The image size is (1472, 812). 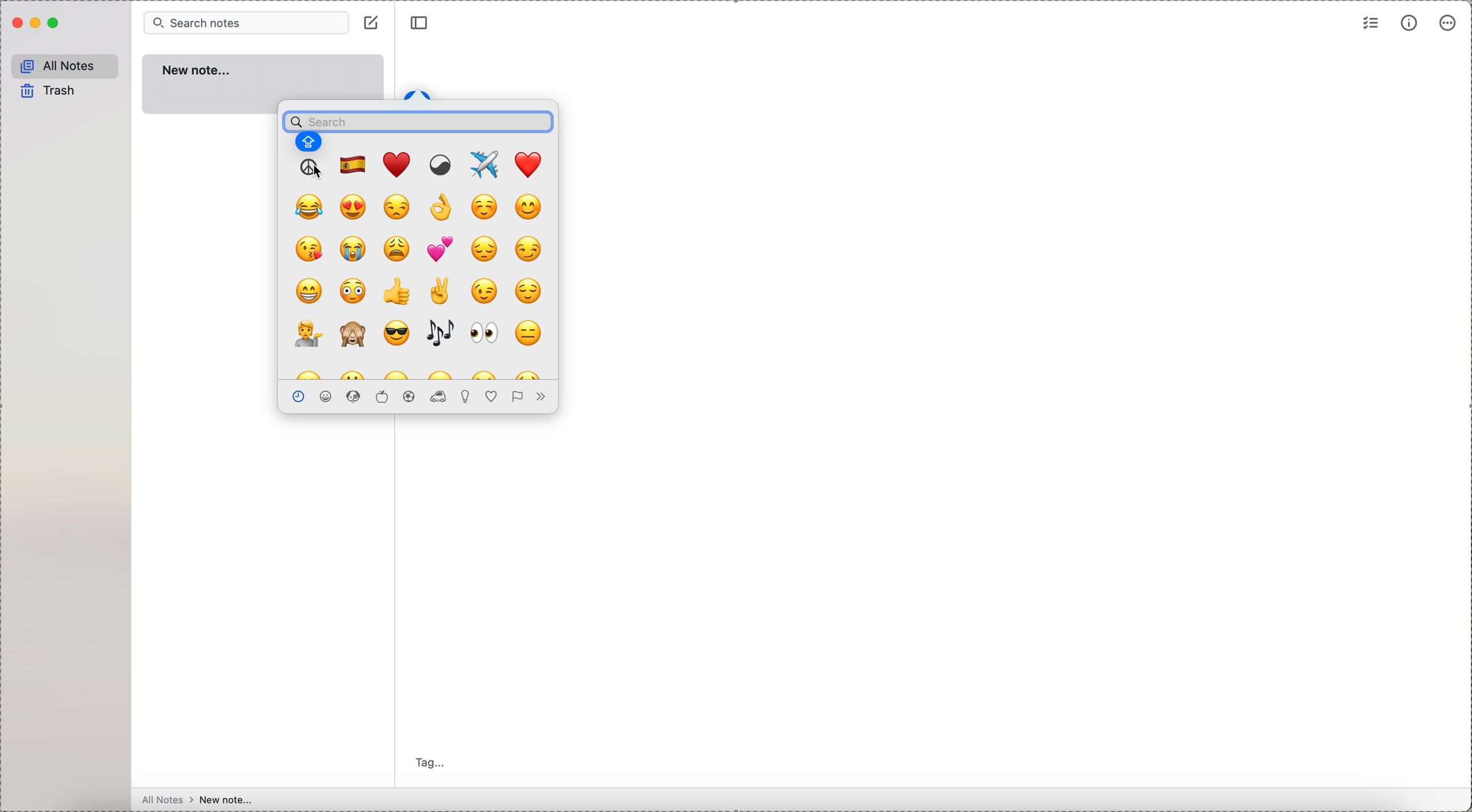 I want to click on emoji, so click(x=528, y=372).